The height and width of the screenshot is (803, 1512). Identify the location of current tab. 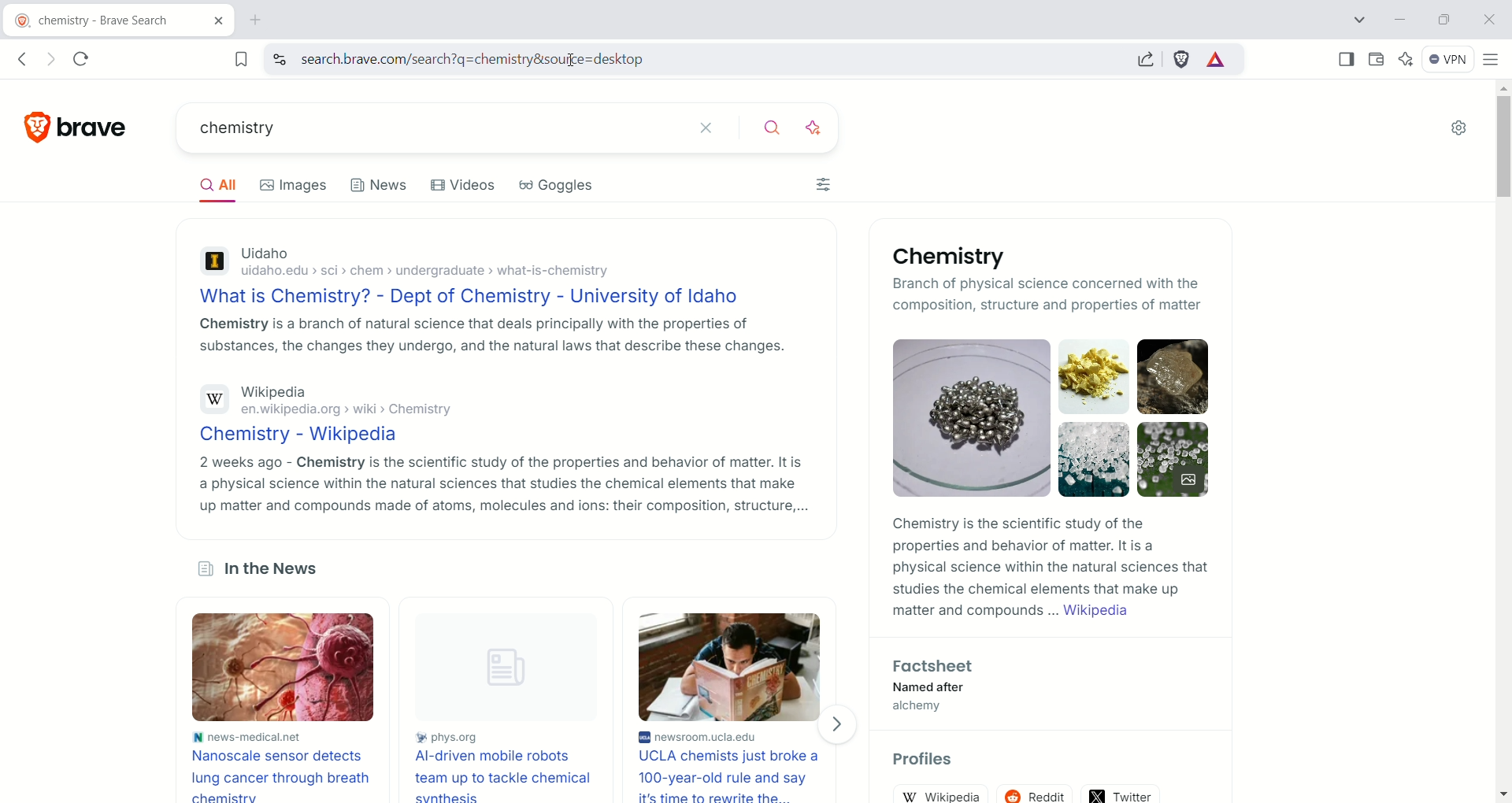
(261, 20).